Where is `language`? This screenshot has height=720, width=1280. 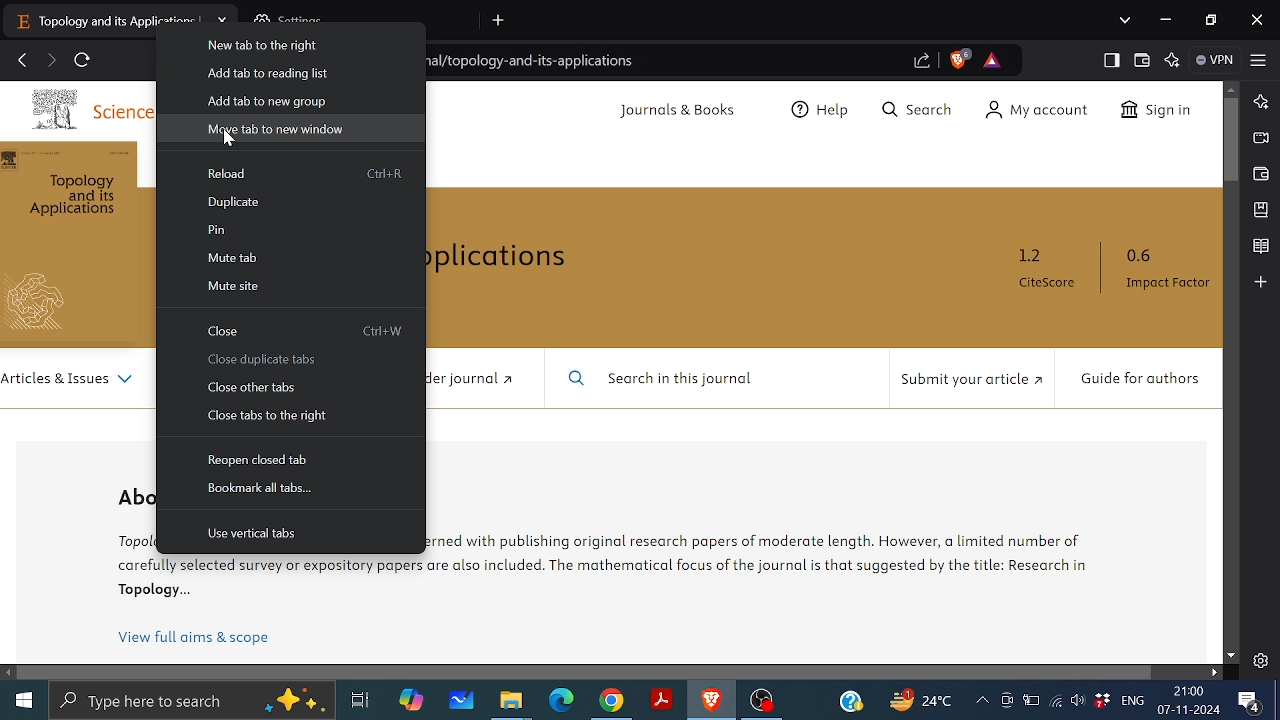
language is located at coordinates (1133, 701).